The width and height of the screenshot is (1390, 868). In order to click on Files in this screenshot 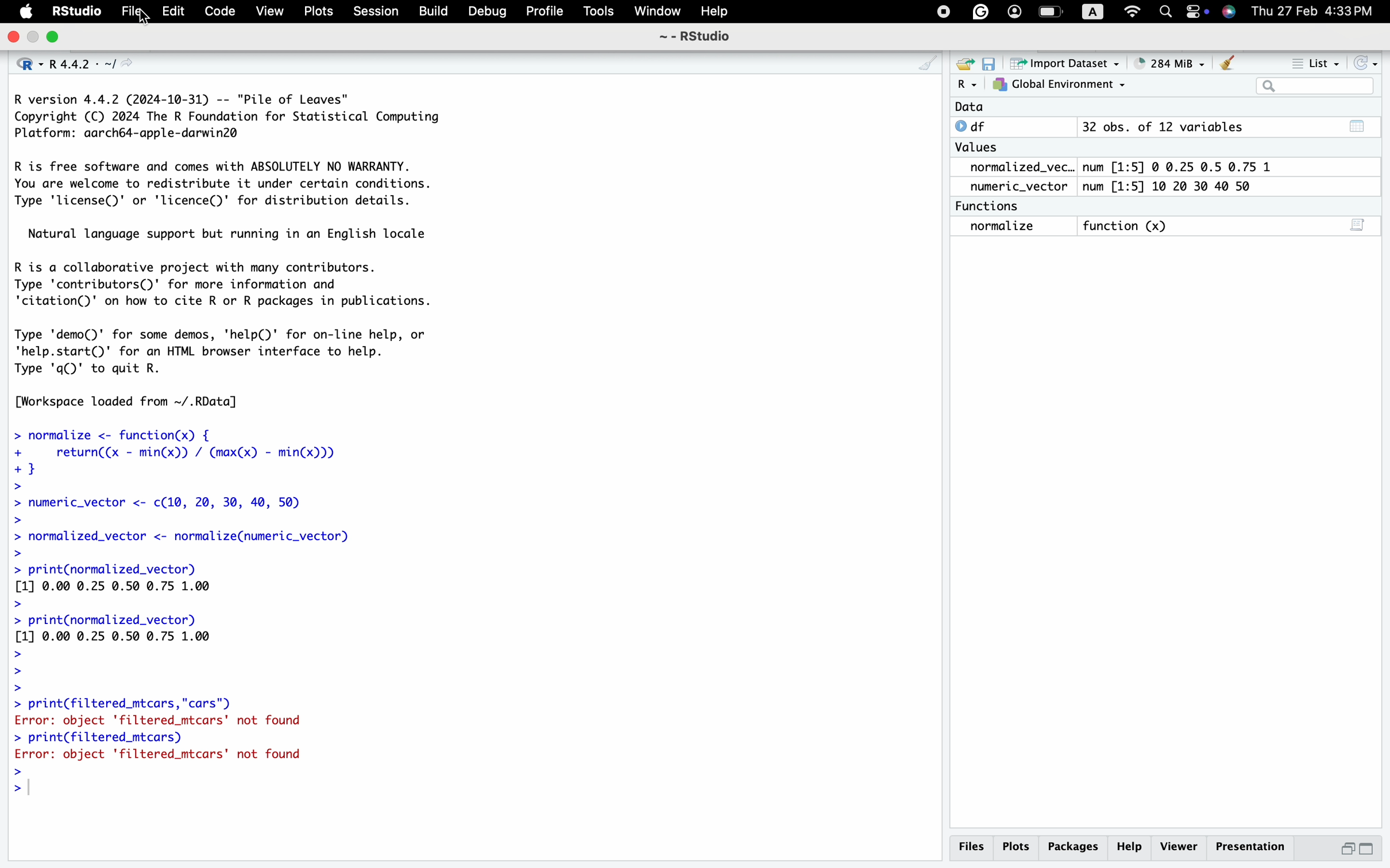, I will do `click(973, 849)`.